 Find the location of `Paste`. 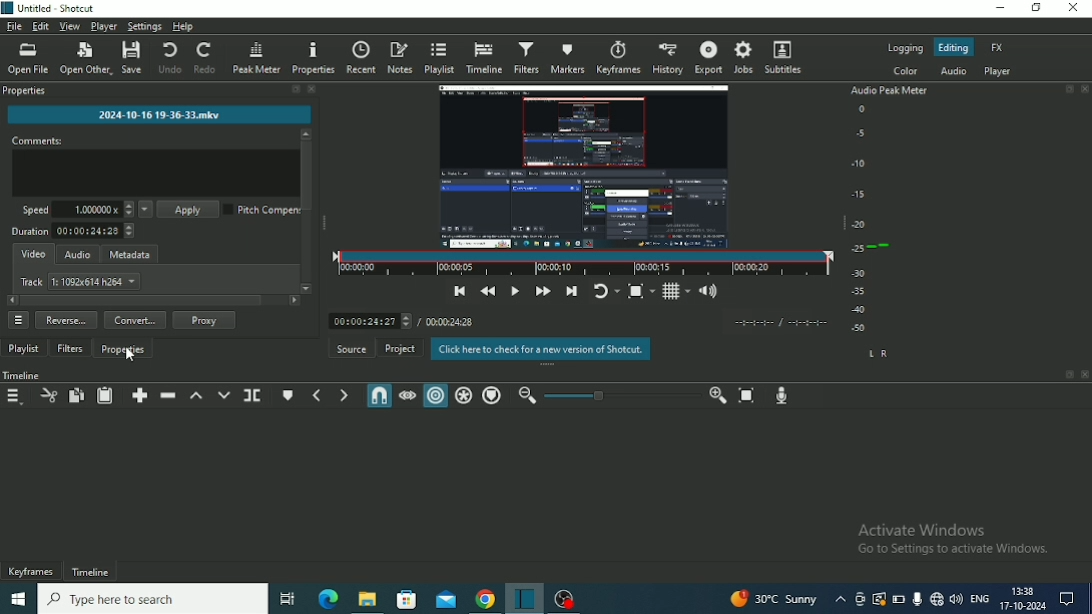

Paste is located at coordinates (104, 396).